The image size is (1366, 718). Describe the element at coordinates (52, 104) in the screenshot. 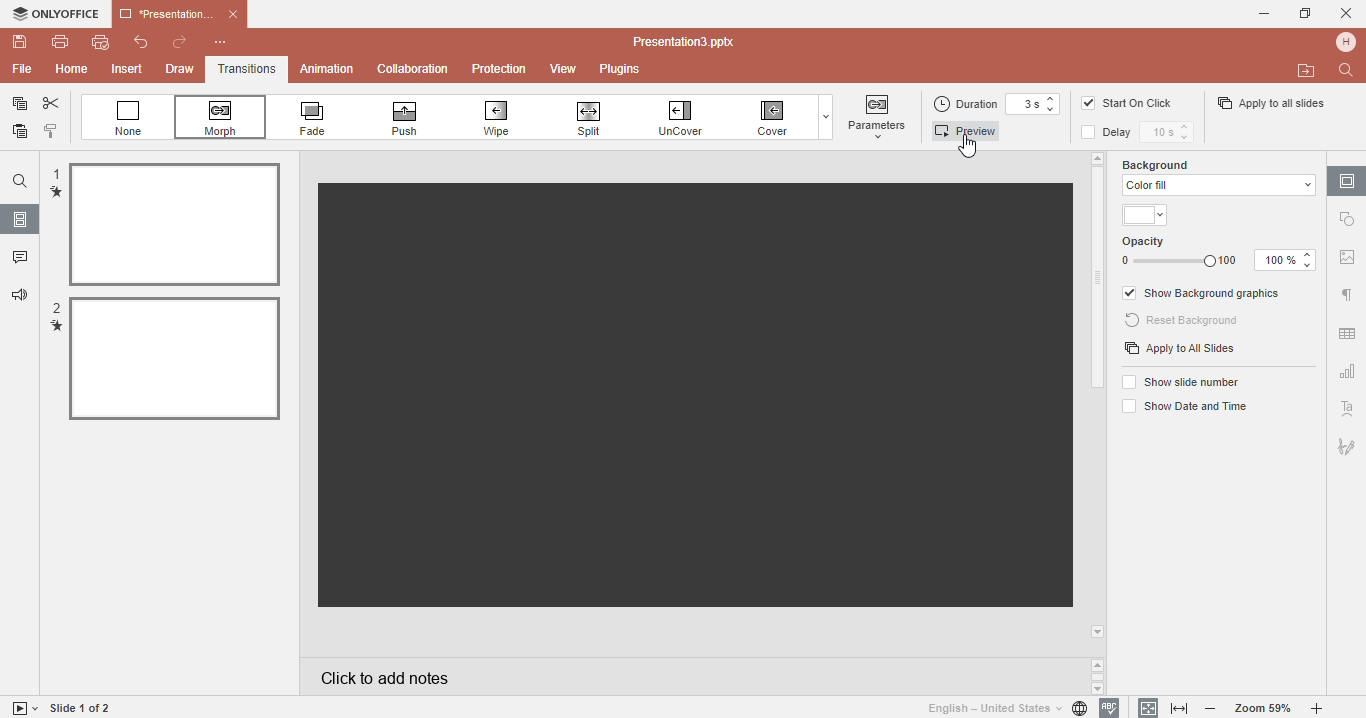

I see `Cut` at that location.